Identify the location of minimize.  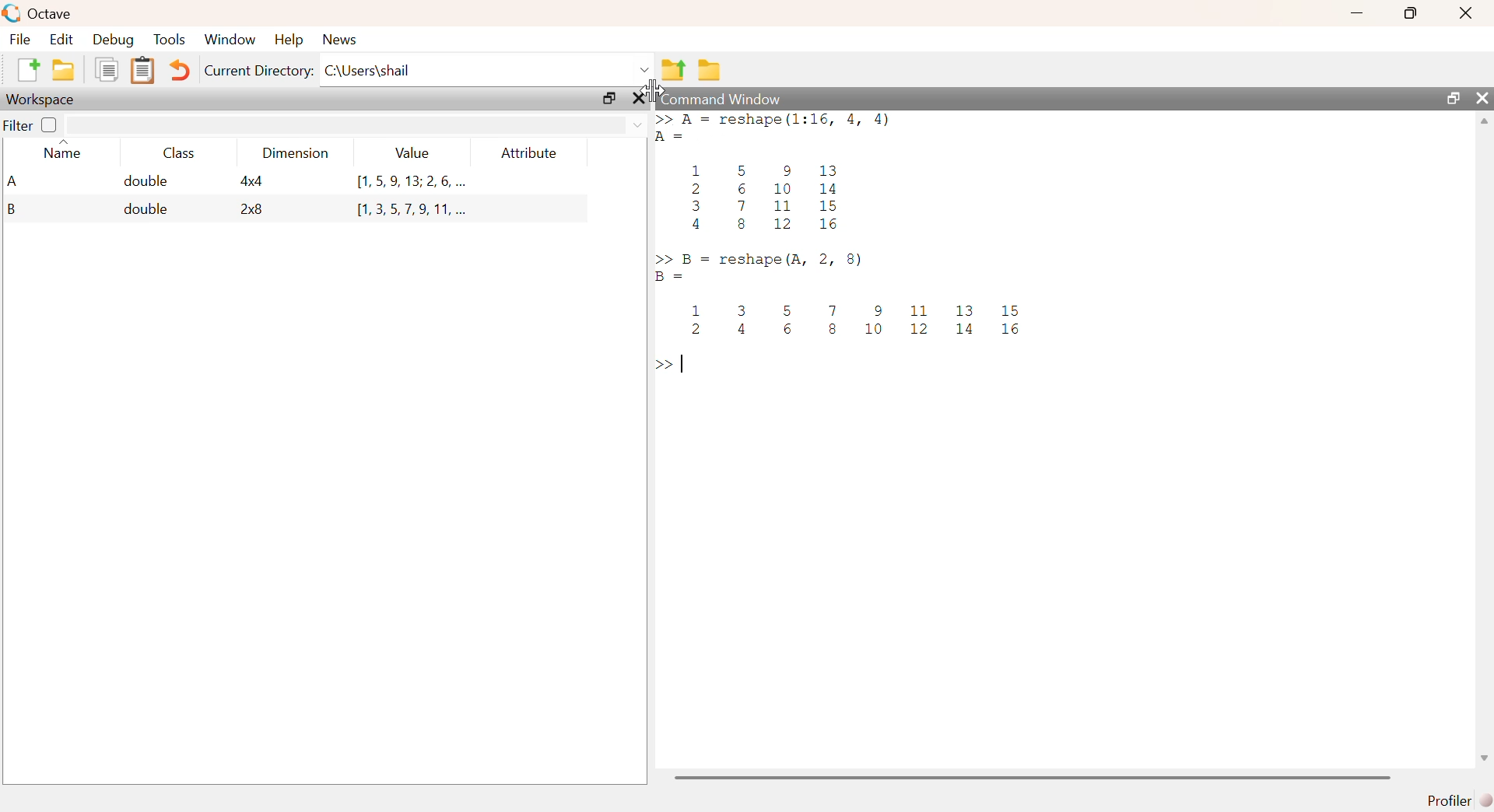
(1355, 15).